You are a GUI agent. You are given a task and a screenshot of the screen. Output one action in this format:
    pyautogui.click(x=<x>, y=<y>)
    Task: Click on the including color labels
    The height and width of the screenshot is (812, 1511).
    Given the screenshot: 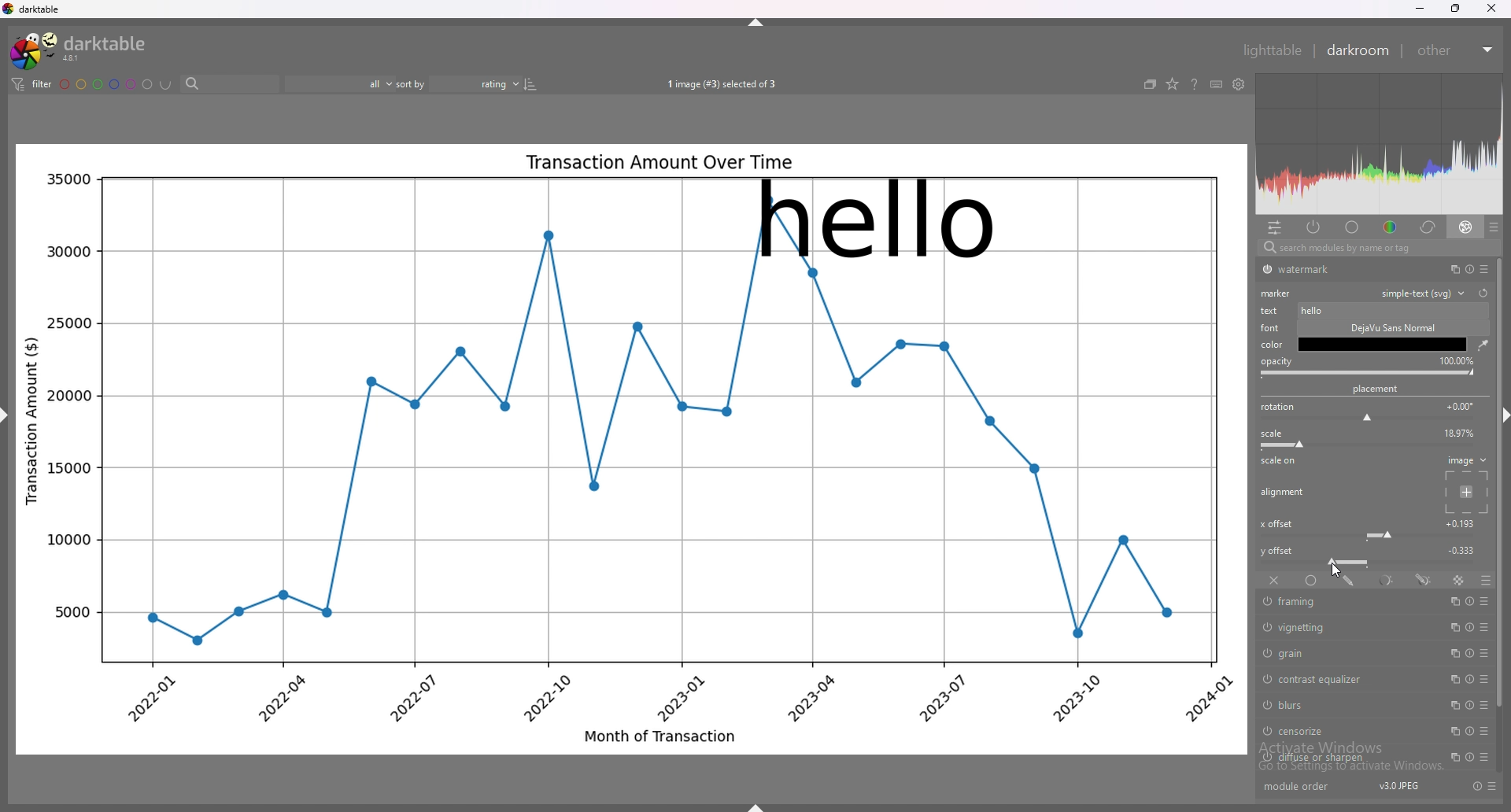 What is the action you would take?
    pyautogui.click(x=165, y=85)
    